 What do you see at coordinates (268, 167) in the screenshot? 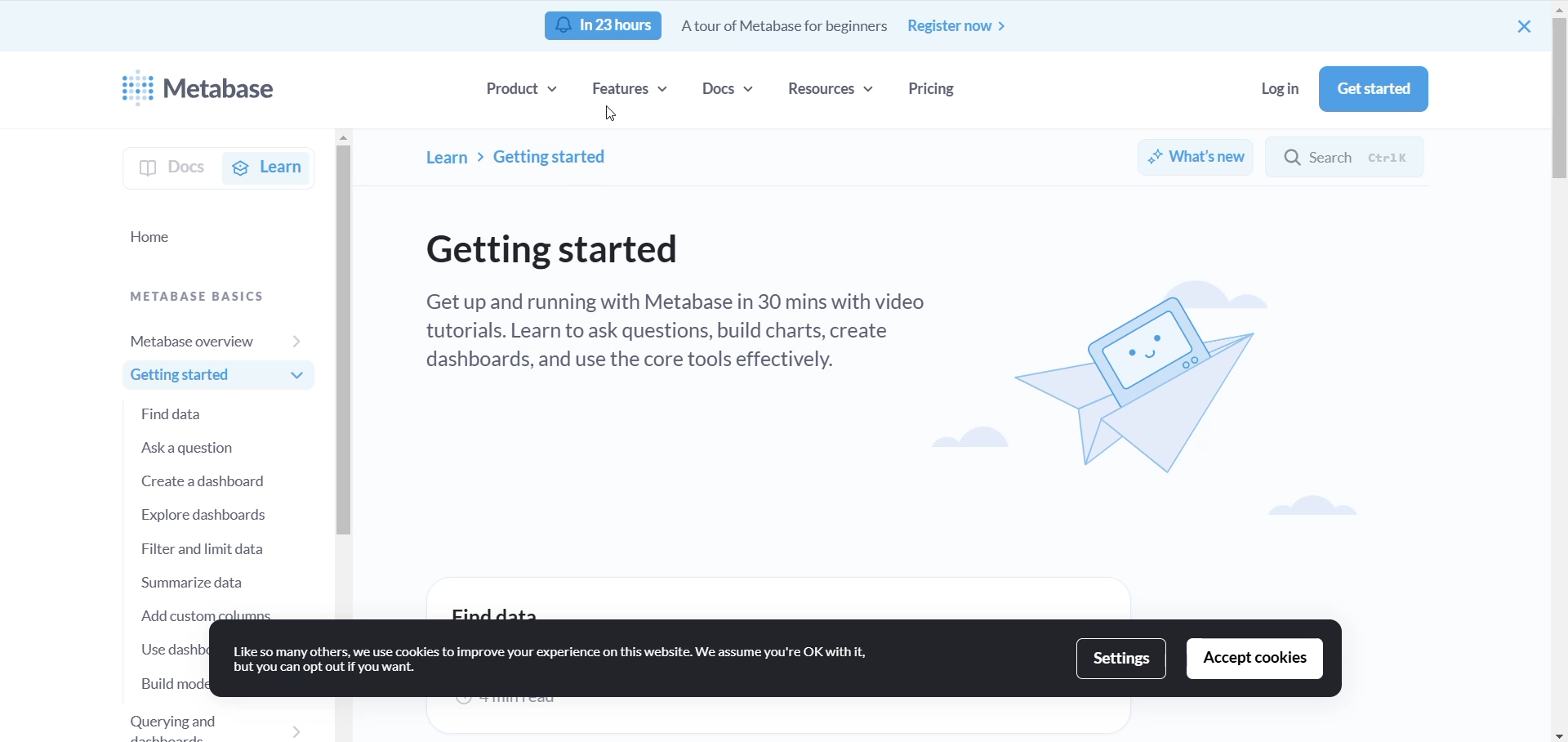
I see `learn` at bounding box center [268, 167].